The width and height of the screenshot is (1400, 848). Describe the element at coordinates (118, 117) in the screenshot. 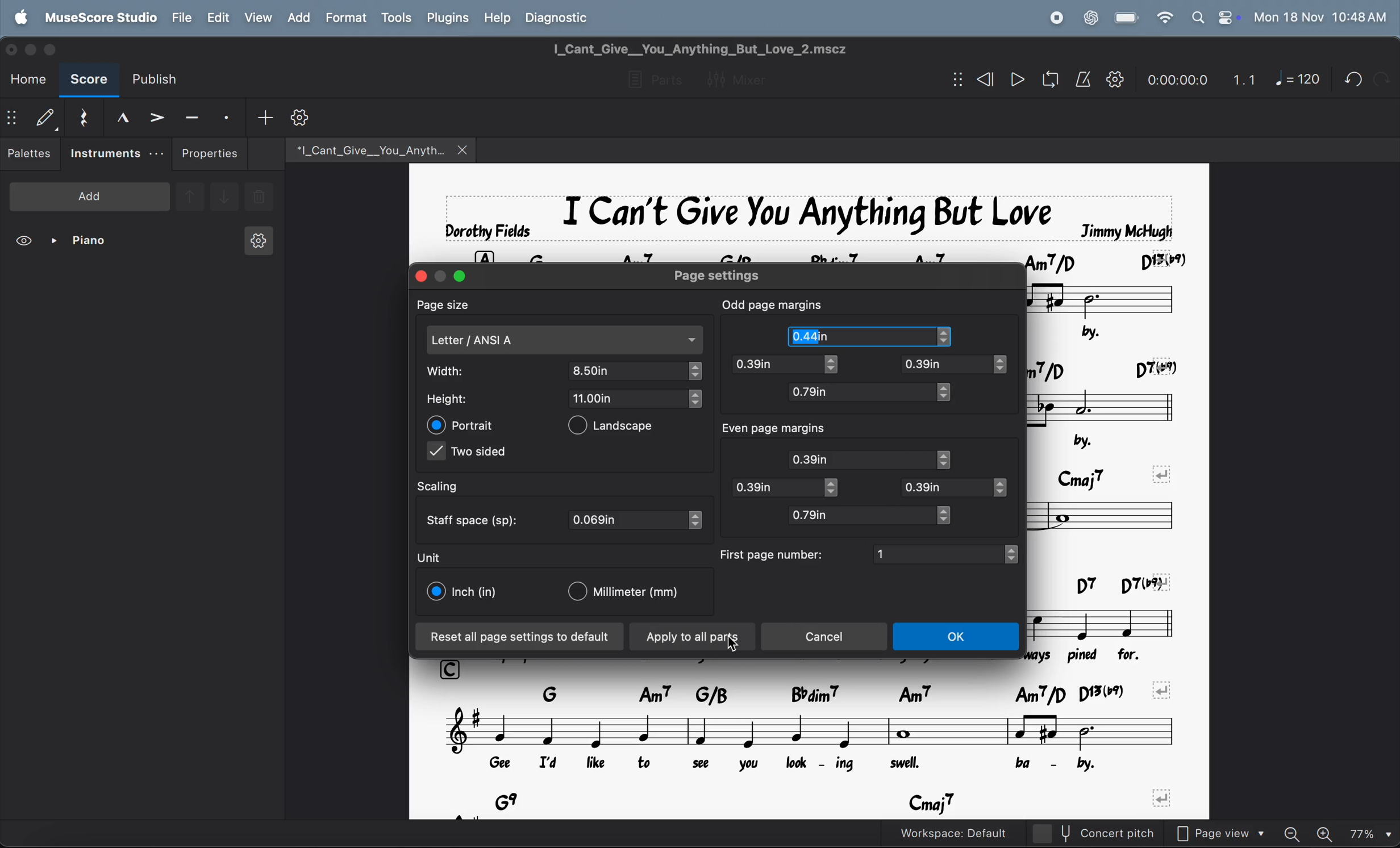

I see `marcato` at that location.